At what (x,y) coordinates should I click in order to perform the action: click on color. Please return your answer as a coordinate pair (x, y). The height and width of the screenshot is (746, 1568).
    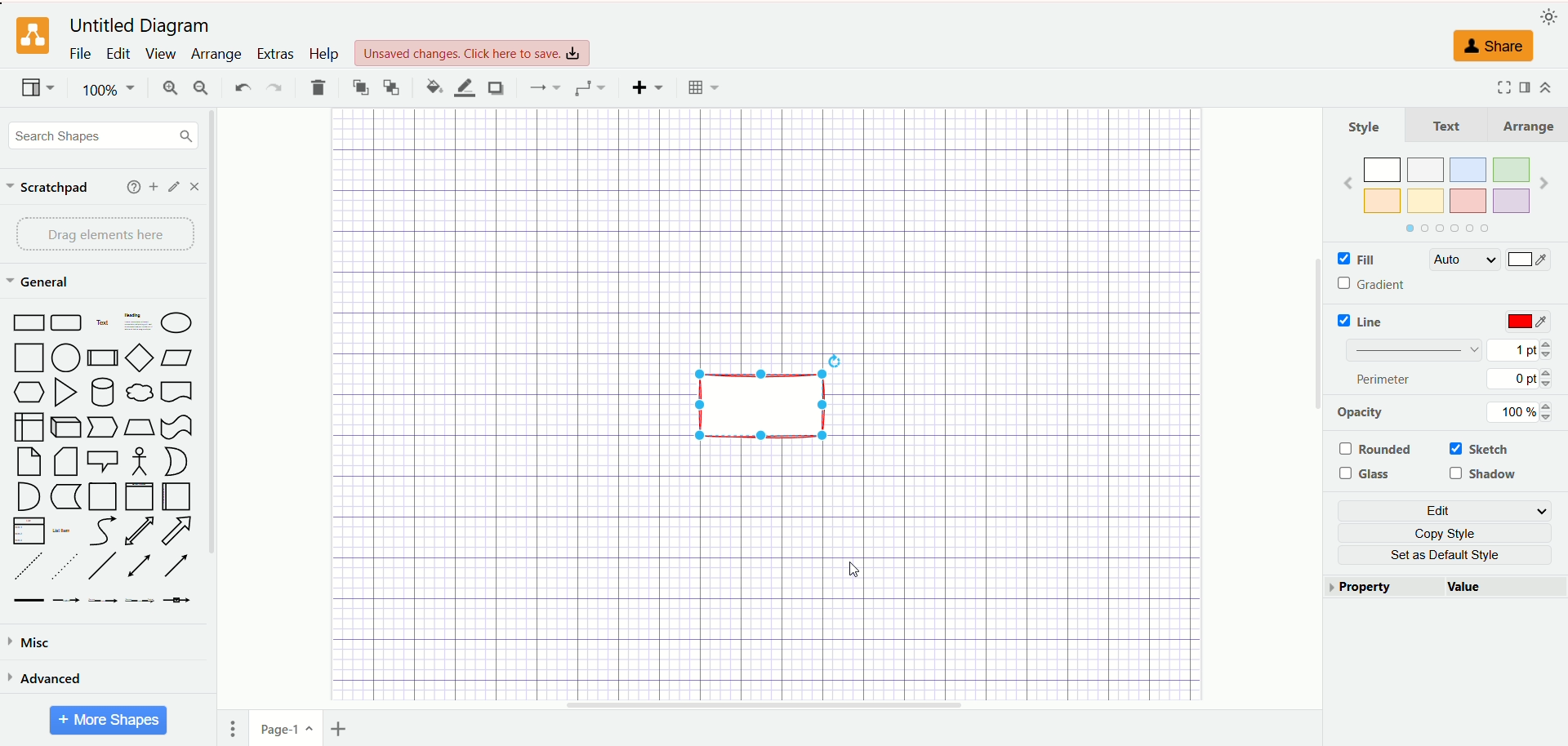
    Looking at the image, I should click on (1527, 322).